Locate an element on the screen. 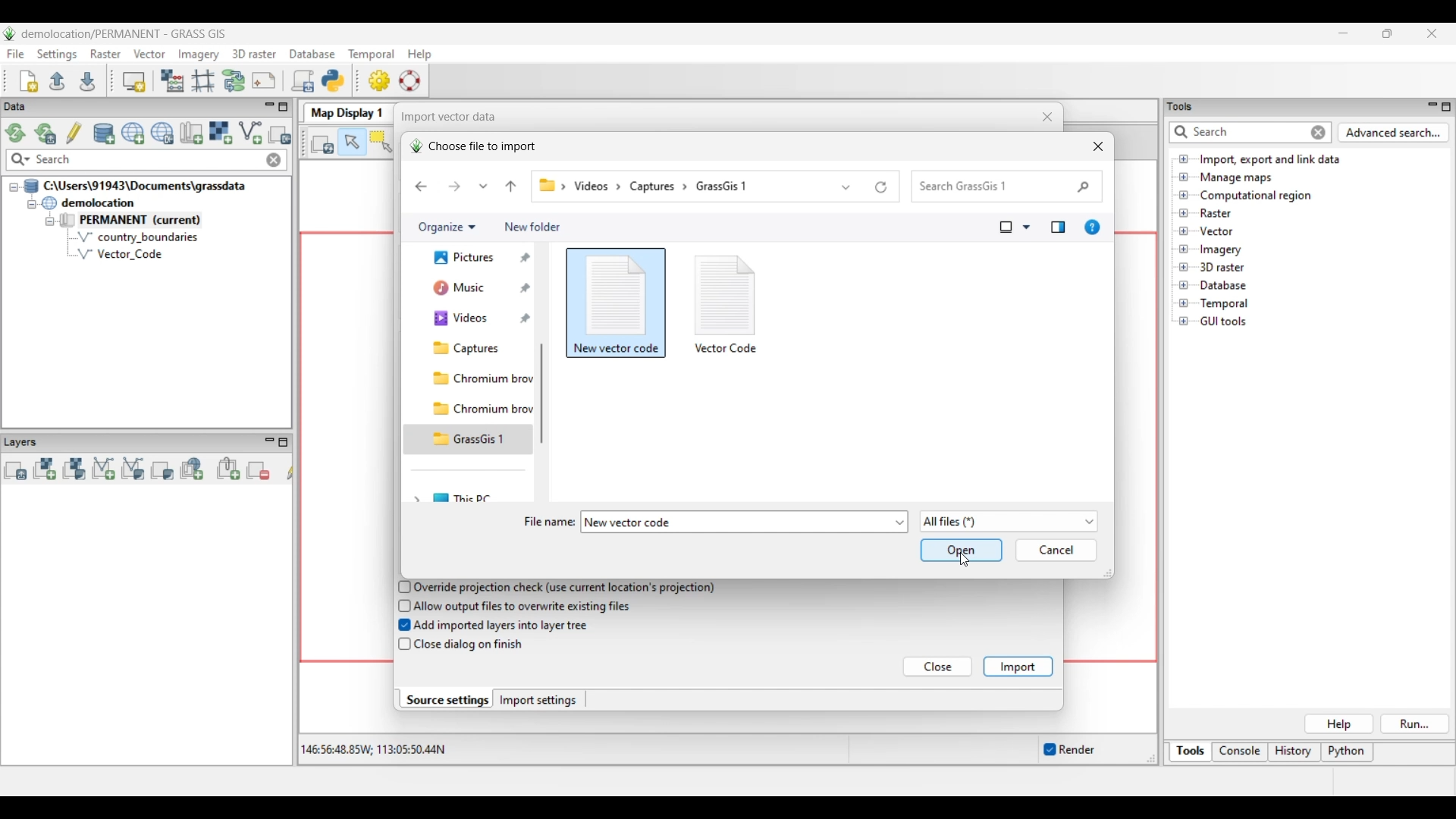 This screenshot has width=1456, height=819. File name: is located at coordinates (548, 522).